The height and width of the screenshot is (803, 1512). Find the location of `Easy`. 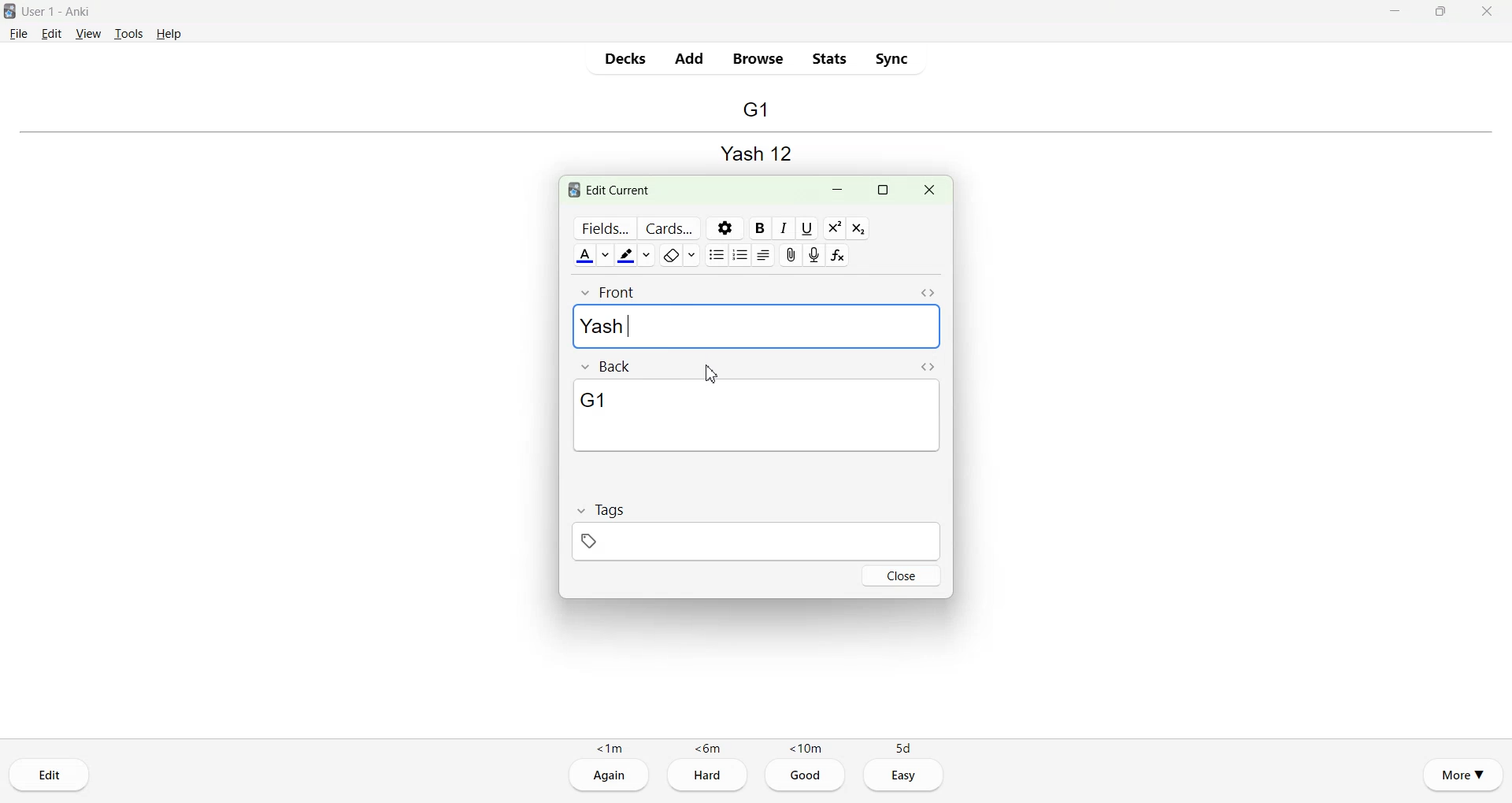

Easy is located at coordinates (905, 775).